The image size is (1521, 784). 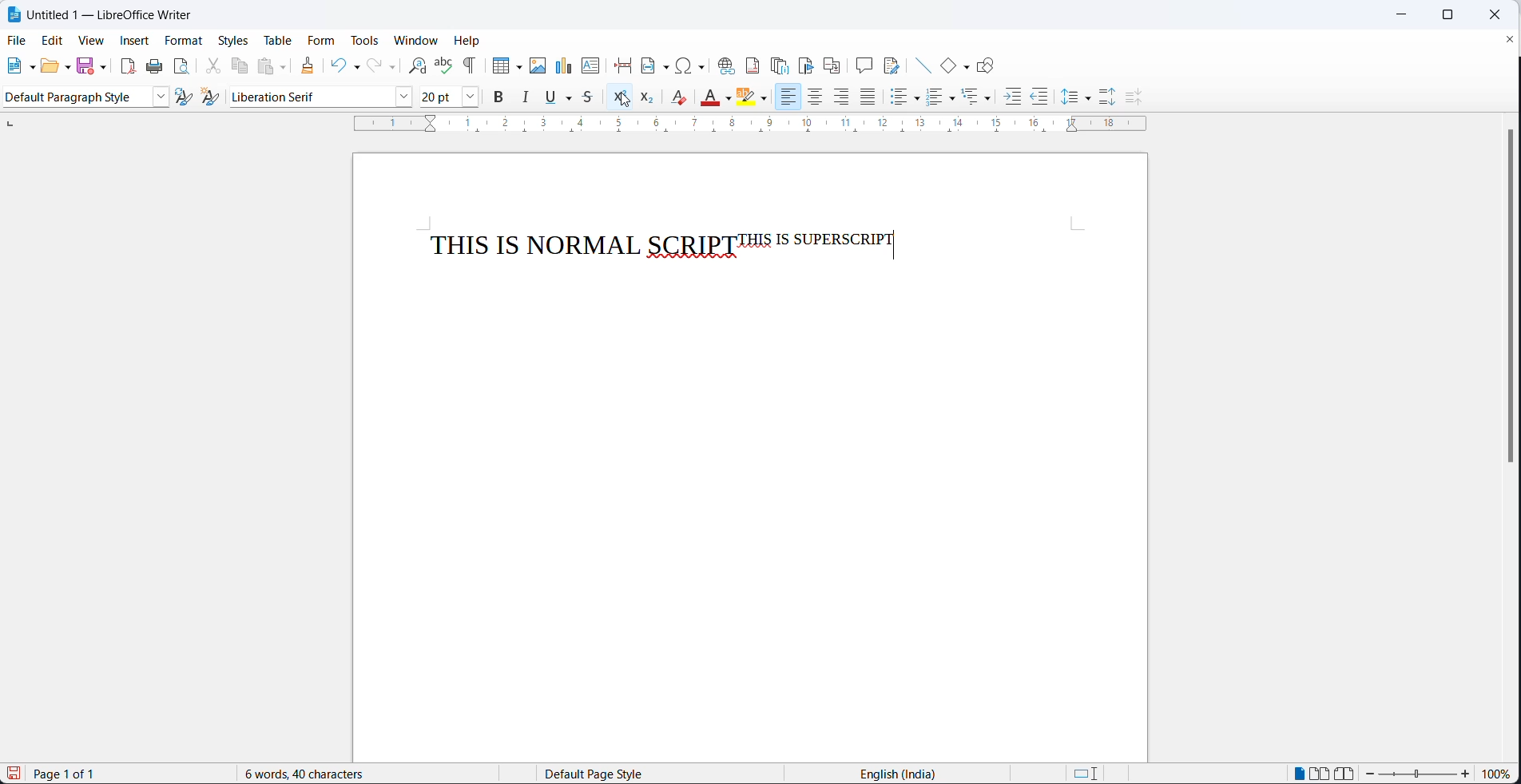 I want to click on cursor, so click(x=624, y=100).